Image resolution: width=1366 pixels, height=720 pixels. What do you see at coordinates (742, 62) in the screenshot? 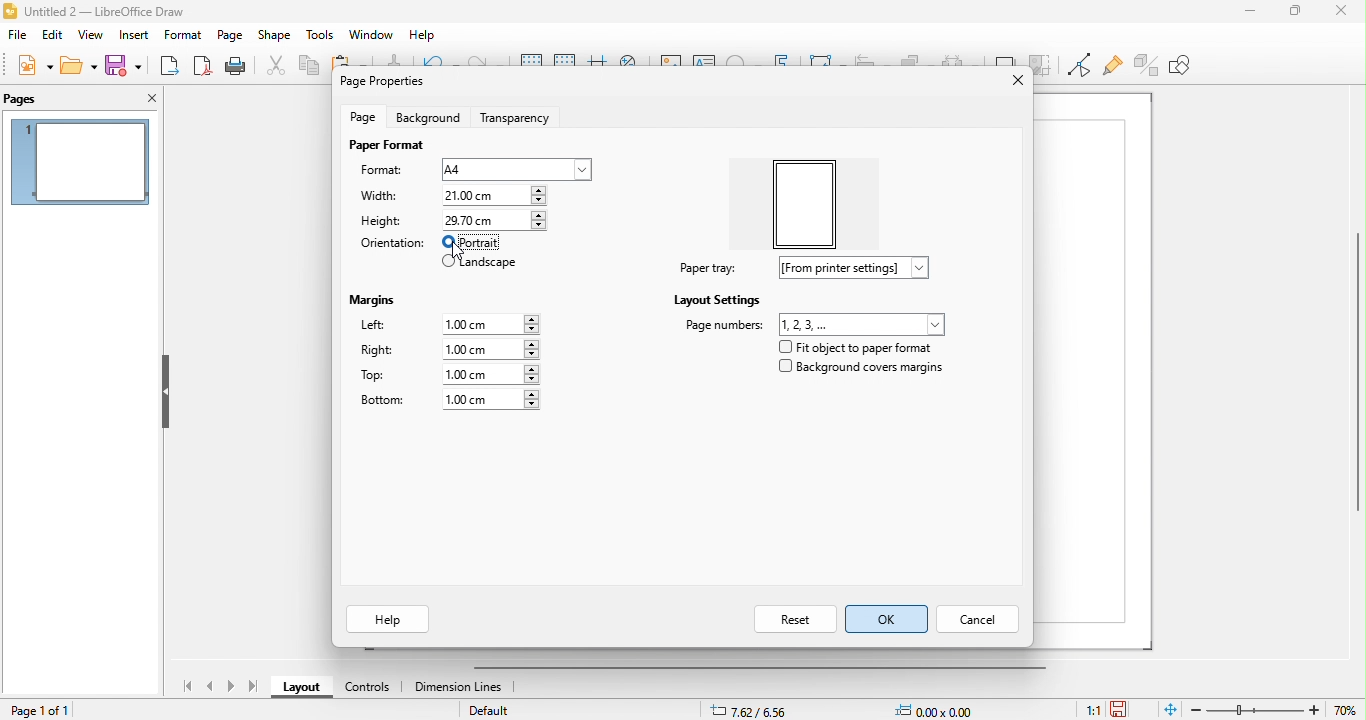
I see `special characters` at bounding box center [742, 62].